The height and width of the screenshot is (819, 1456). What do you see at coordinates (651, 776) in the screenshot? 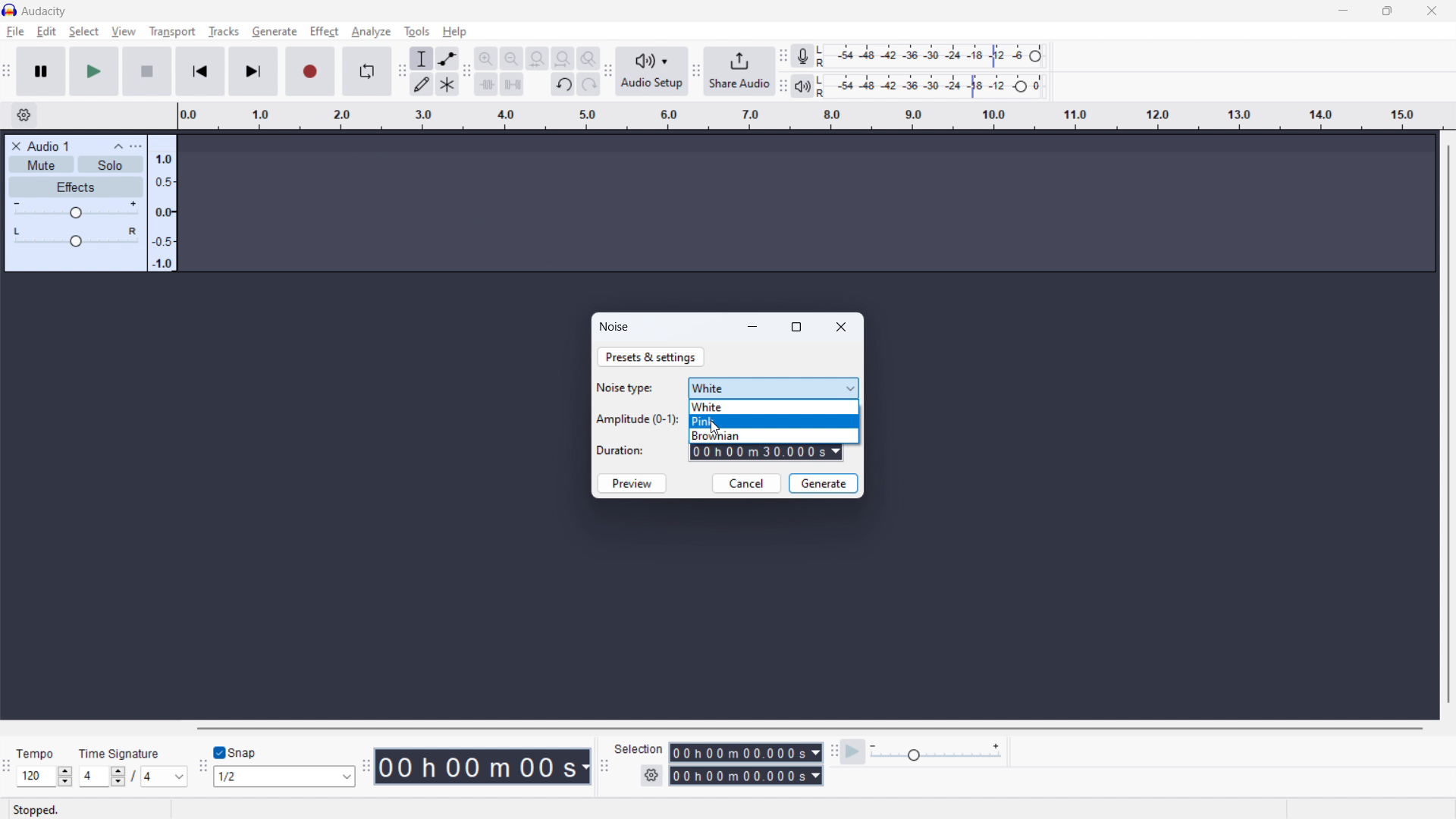
I see `selection settings` at bounding box center [651, 776].